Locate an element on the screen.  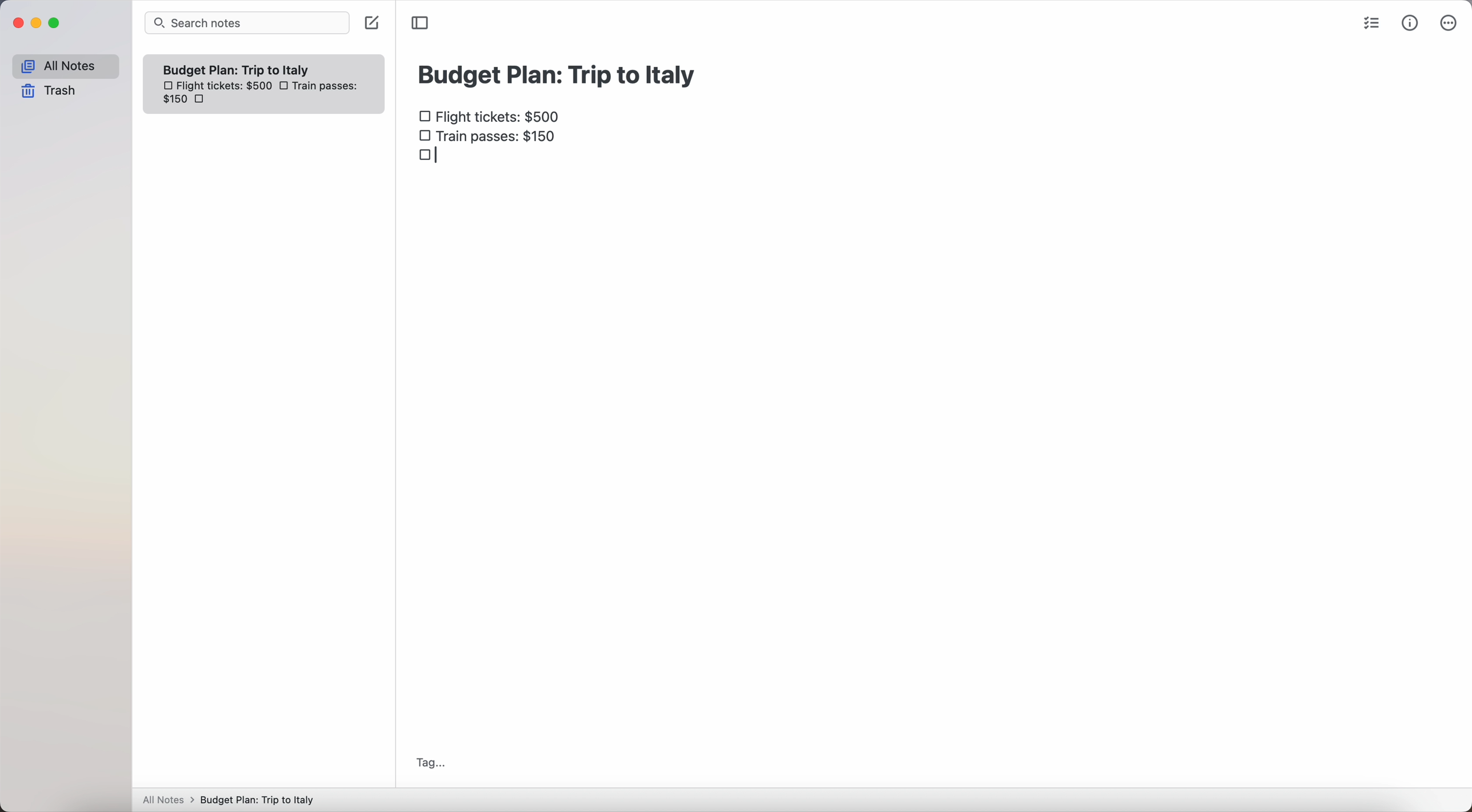
tag is located at coordinates (431, 763).